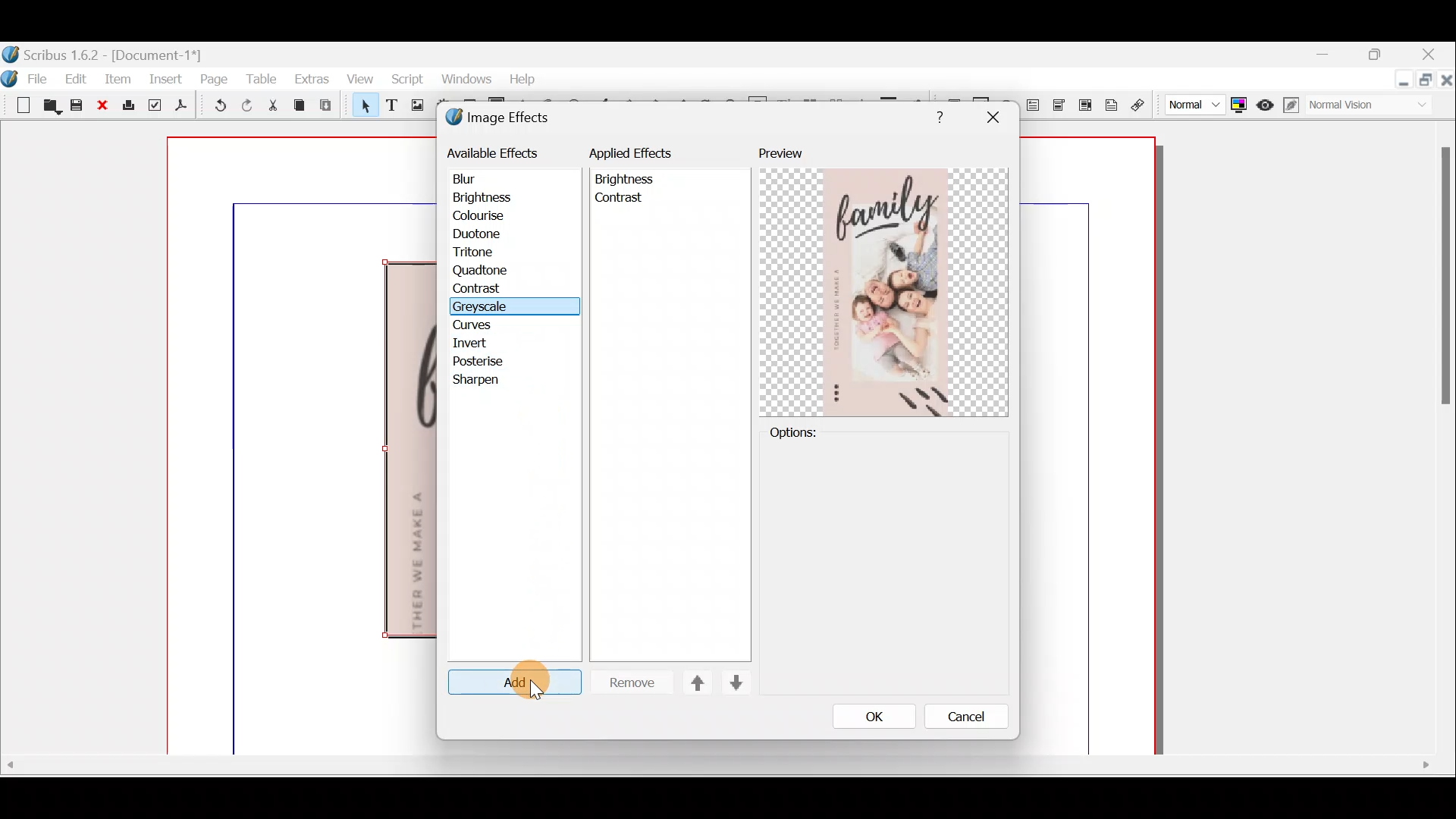 The width and height of the screenshot is (1456, 819). What do you see at coordinates (494, 153) in the screenshot?
I see `available effects` at bounding box center [494, 153].